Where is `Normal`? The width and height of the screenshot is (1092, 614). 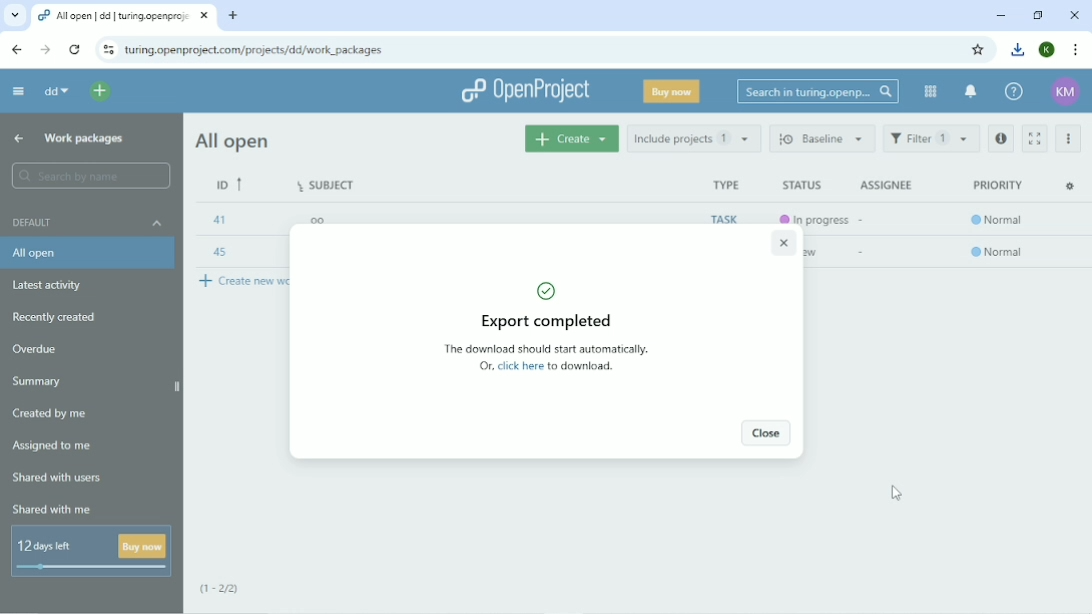
Normal is located at coordinates (999, 253).